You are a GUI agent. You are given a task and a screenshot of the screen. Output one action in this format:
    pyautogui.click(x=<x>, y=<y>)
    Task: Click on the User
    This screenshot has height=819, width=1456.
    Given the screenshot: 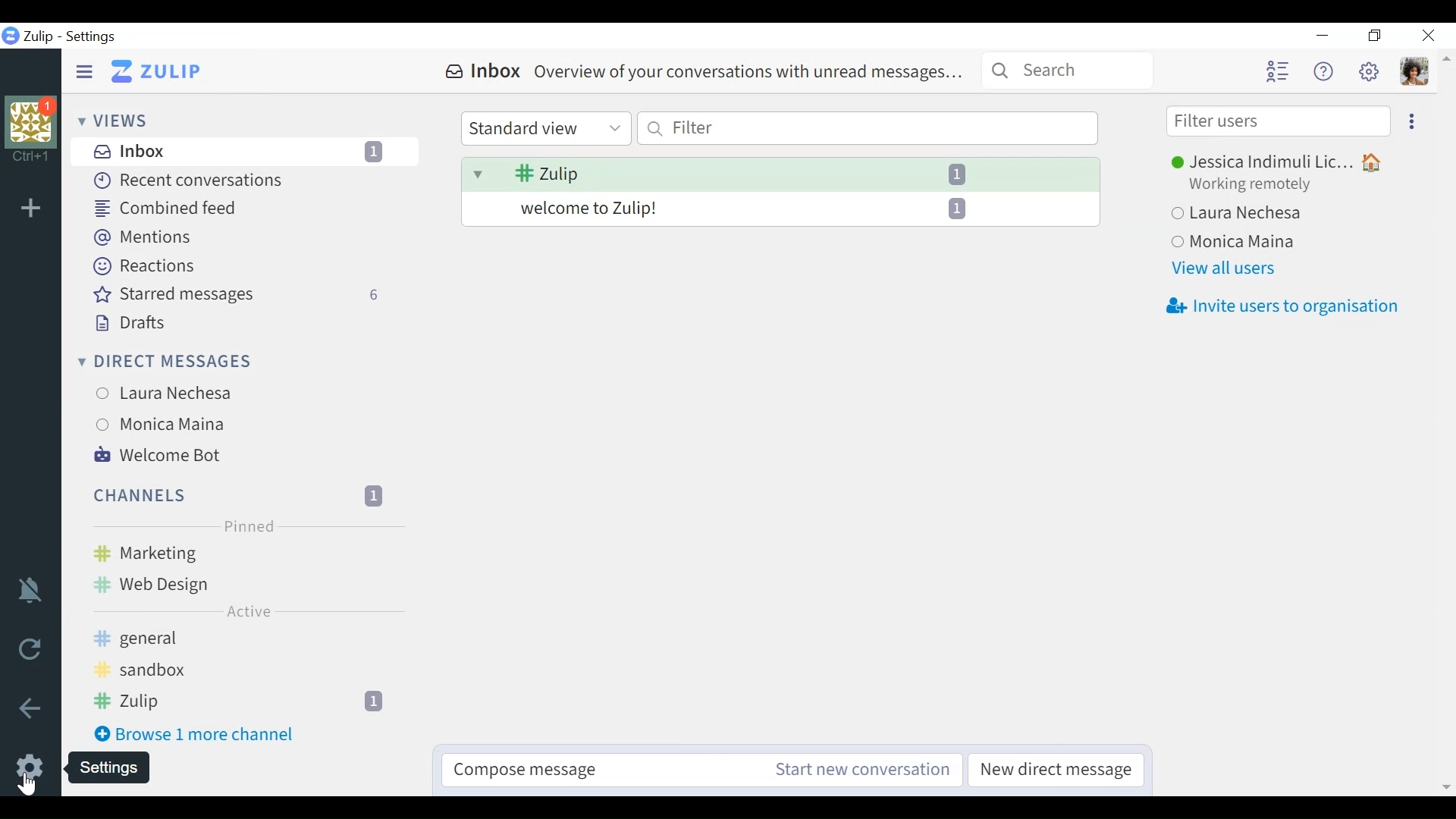 What is the action you would take?
    pyautogui.click(x=1243, y=214)
    